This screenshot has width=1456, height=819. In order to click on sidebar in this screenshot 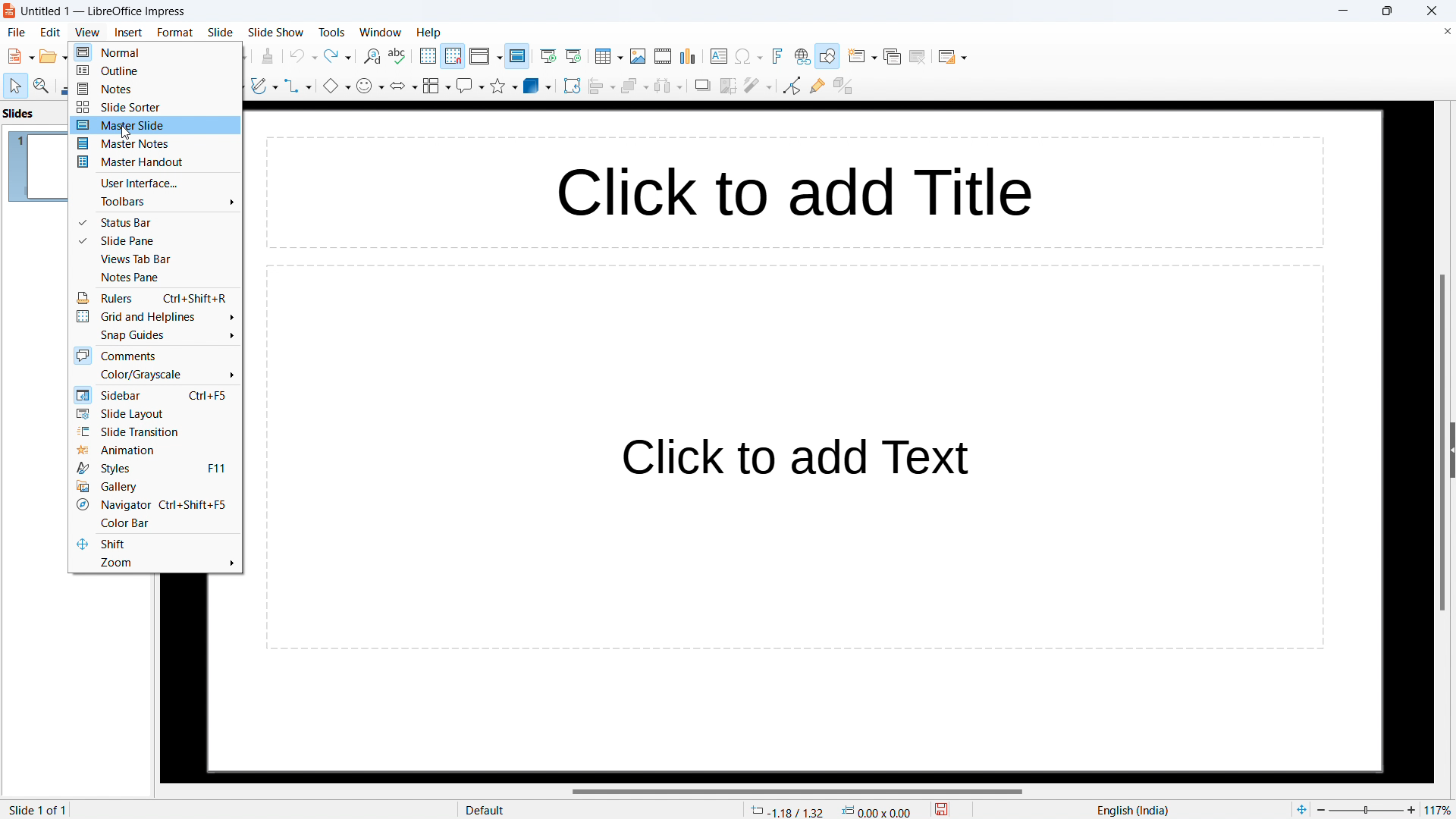, I will do `click(155, 395)`.